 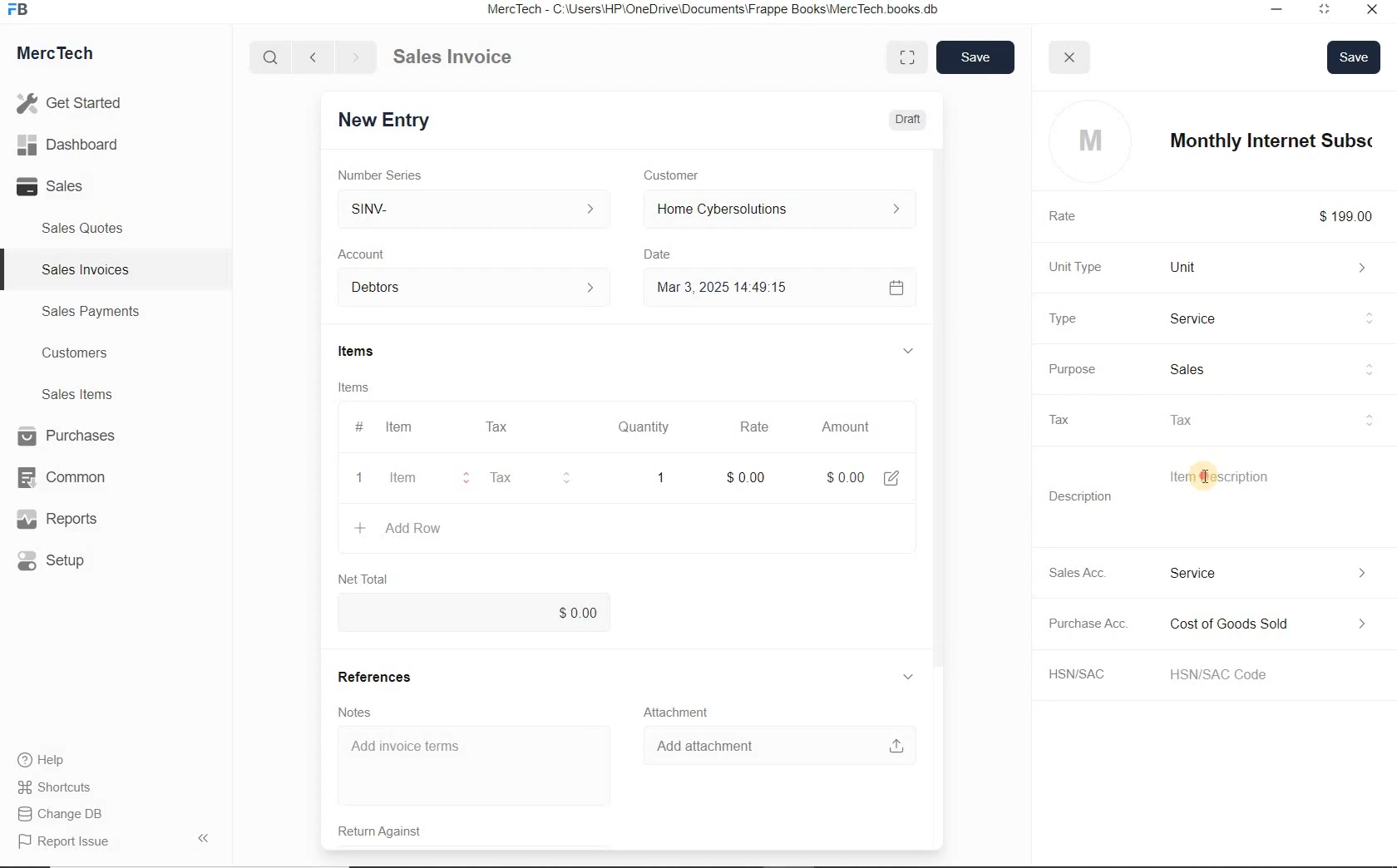 What do you see at coordinates (272, 57) in the screenshot?
I see `Search` at bounding box center [272, 57].